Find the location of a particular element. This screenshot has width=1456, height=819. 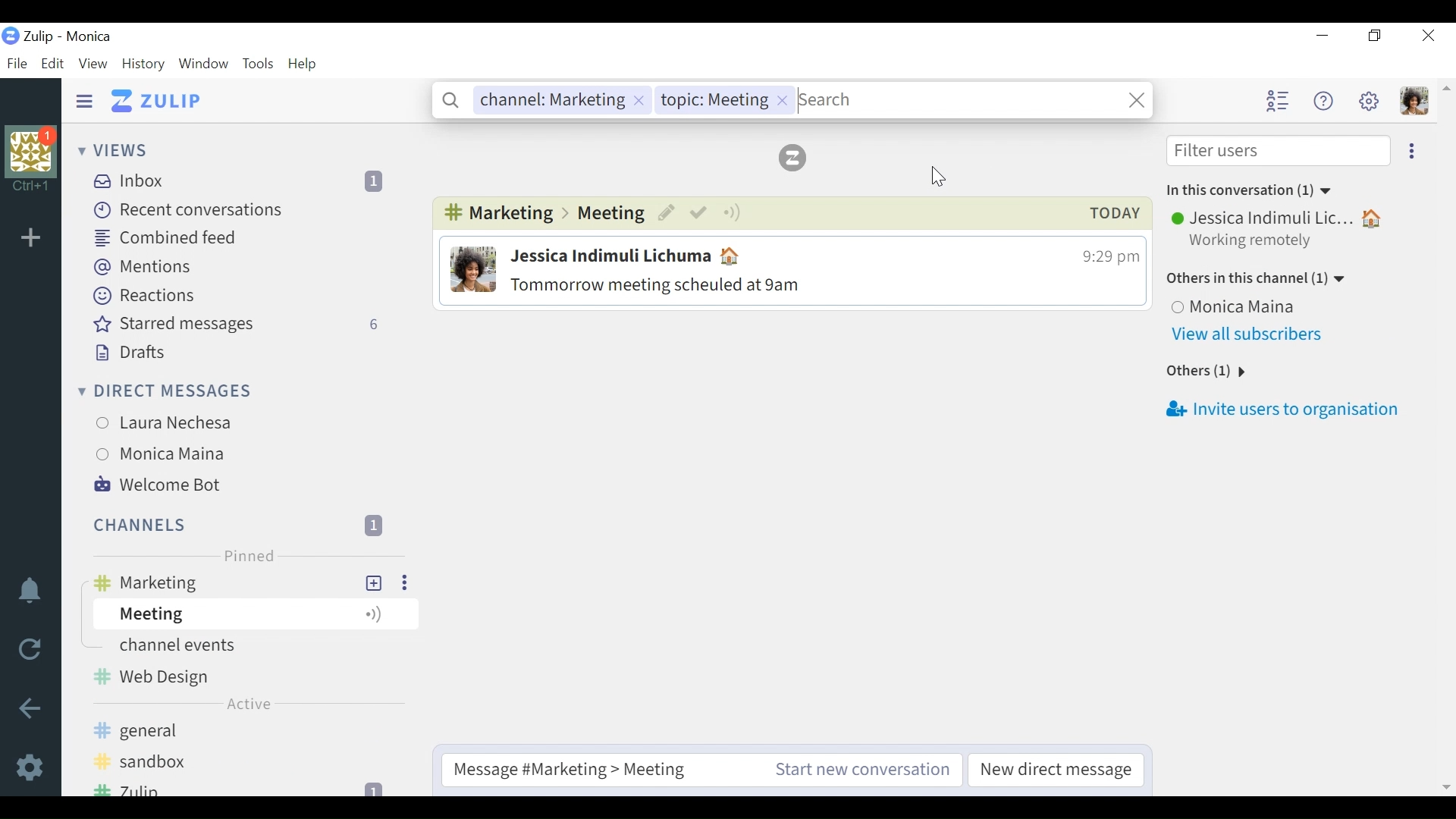

Hide user list is located at coordinates (1277, 100).